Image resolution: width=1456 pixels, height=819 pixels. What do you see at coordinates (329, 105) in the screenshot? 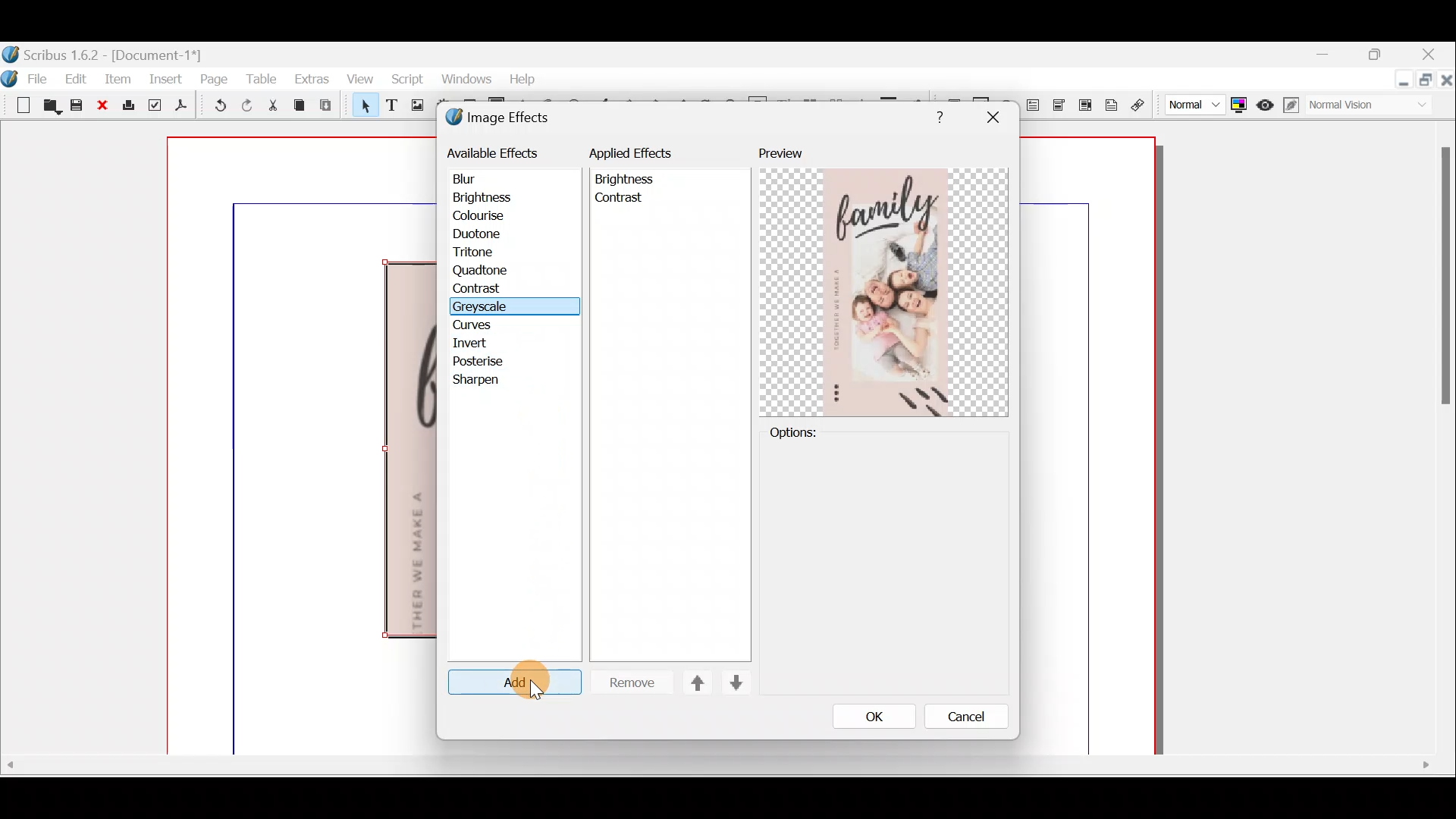
I see `Paste` at bounding box center [329, 105].